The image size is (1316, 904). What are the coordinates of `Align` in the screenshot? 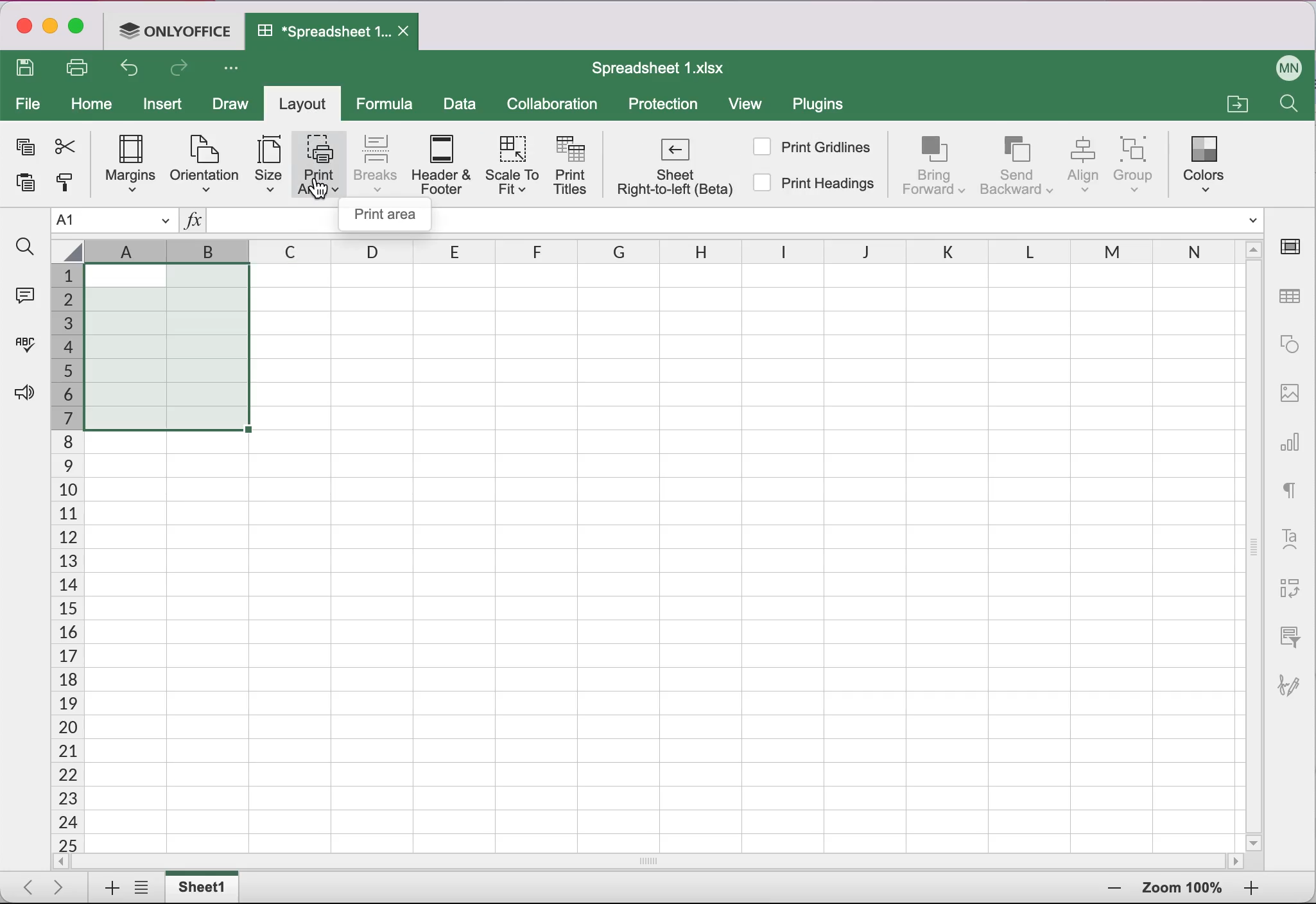 It's located at (1085, 165).